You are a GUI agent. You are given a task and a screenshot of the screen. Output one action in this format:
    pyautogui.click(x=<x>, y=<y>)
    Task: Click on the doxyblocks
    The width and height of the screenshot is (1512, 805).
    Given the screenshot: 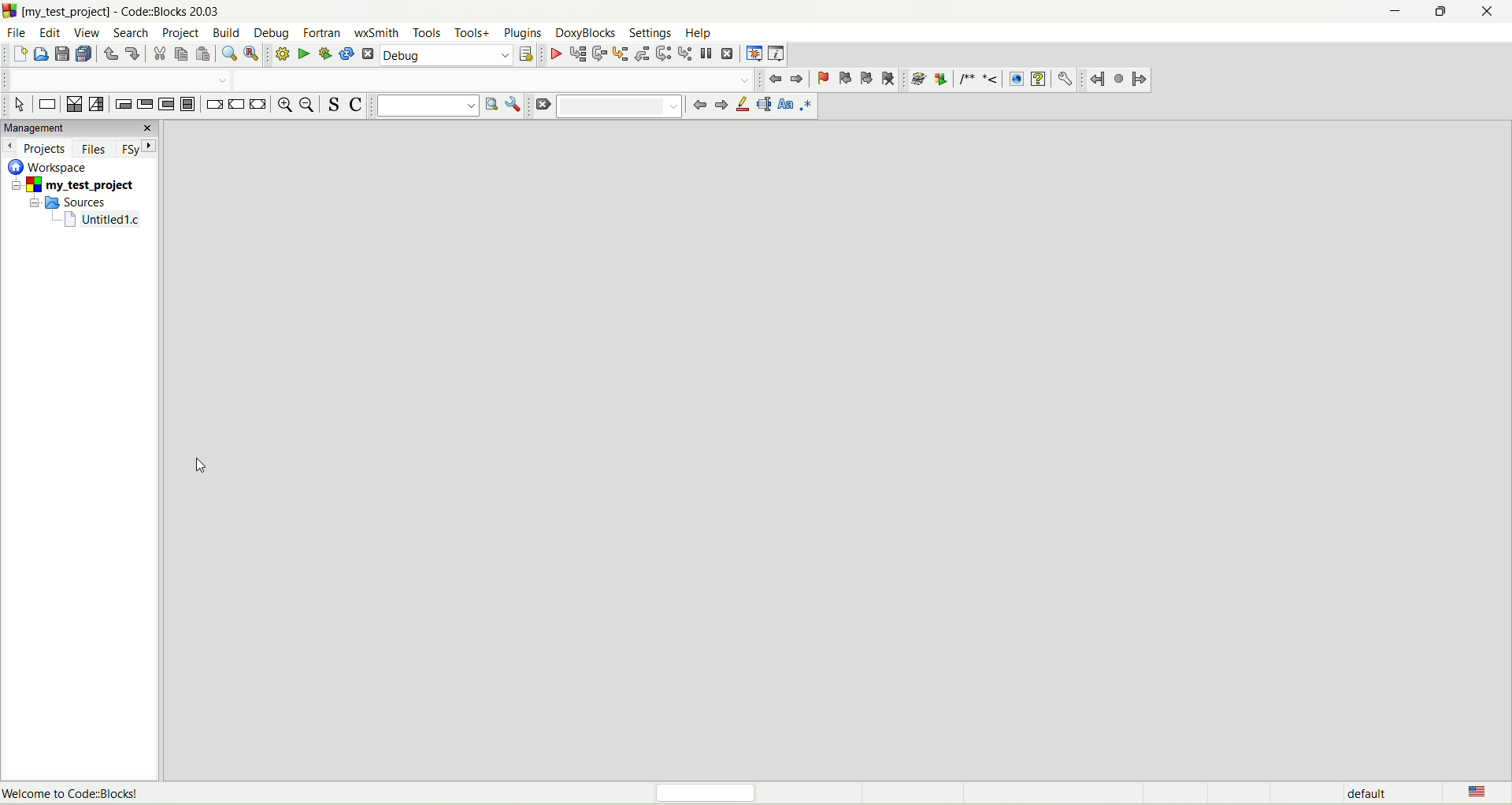 What is the action you would take?
    pyautogui.click(x=584, y=34)
    